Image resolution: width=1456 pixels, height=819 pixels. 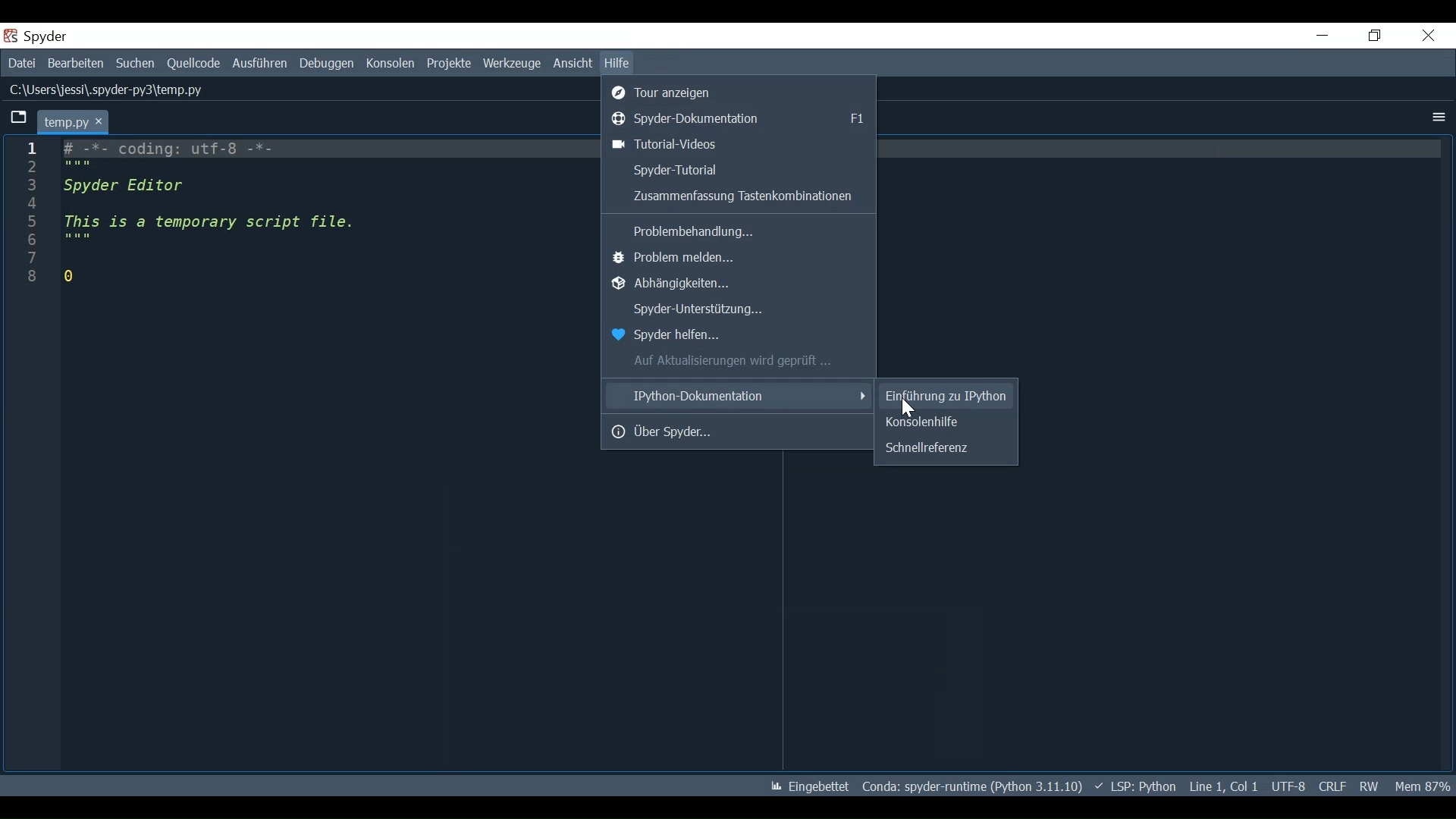 I want to click on LSP: Python , so click(x=1137, y=786).